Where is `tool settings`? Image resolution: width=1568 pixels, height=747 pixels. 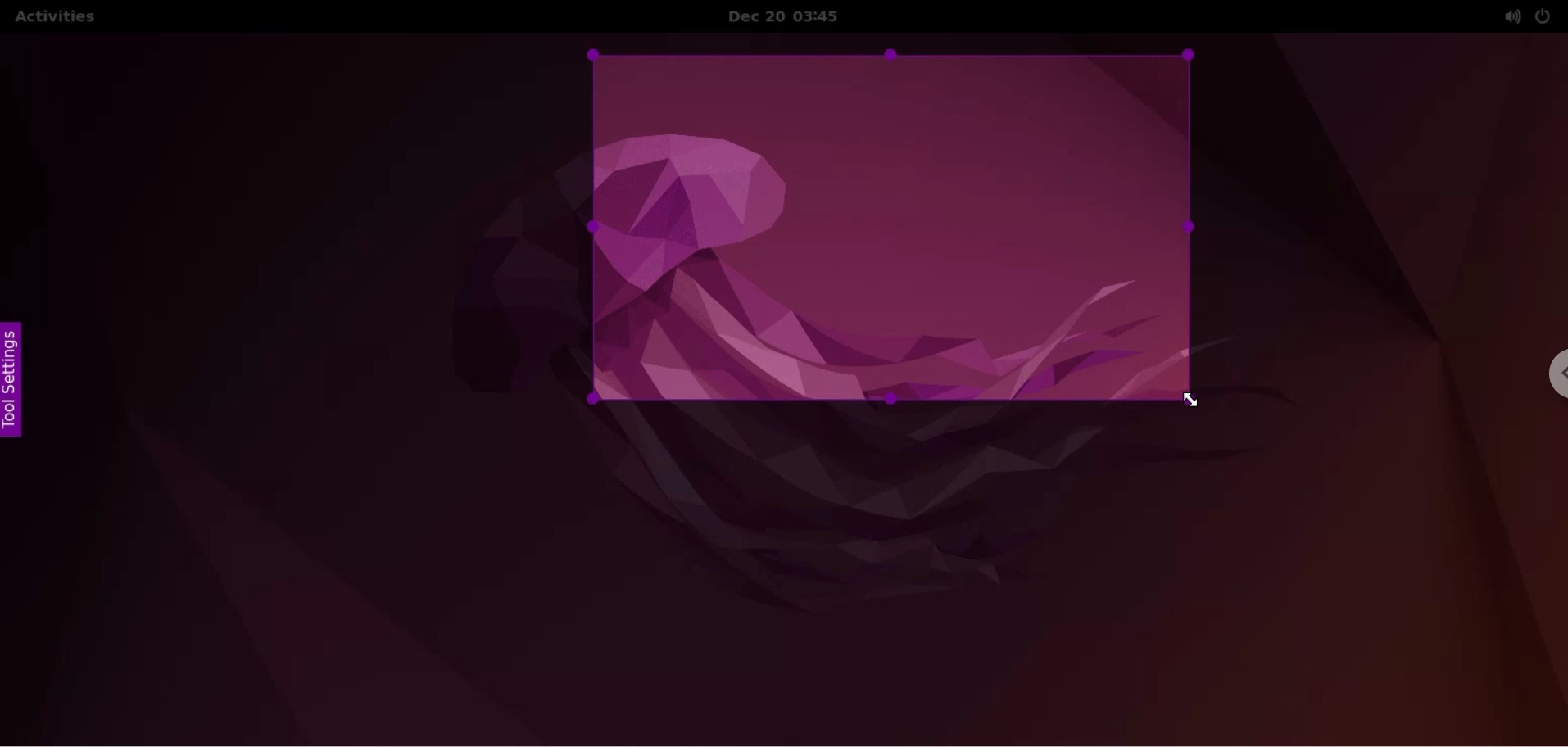
tool settings is located at coordinates (18, 380).